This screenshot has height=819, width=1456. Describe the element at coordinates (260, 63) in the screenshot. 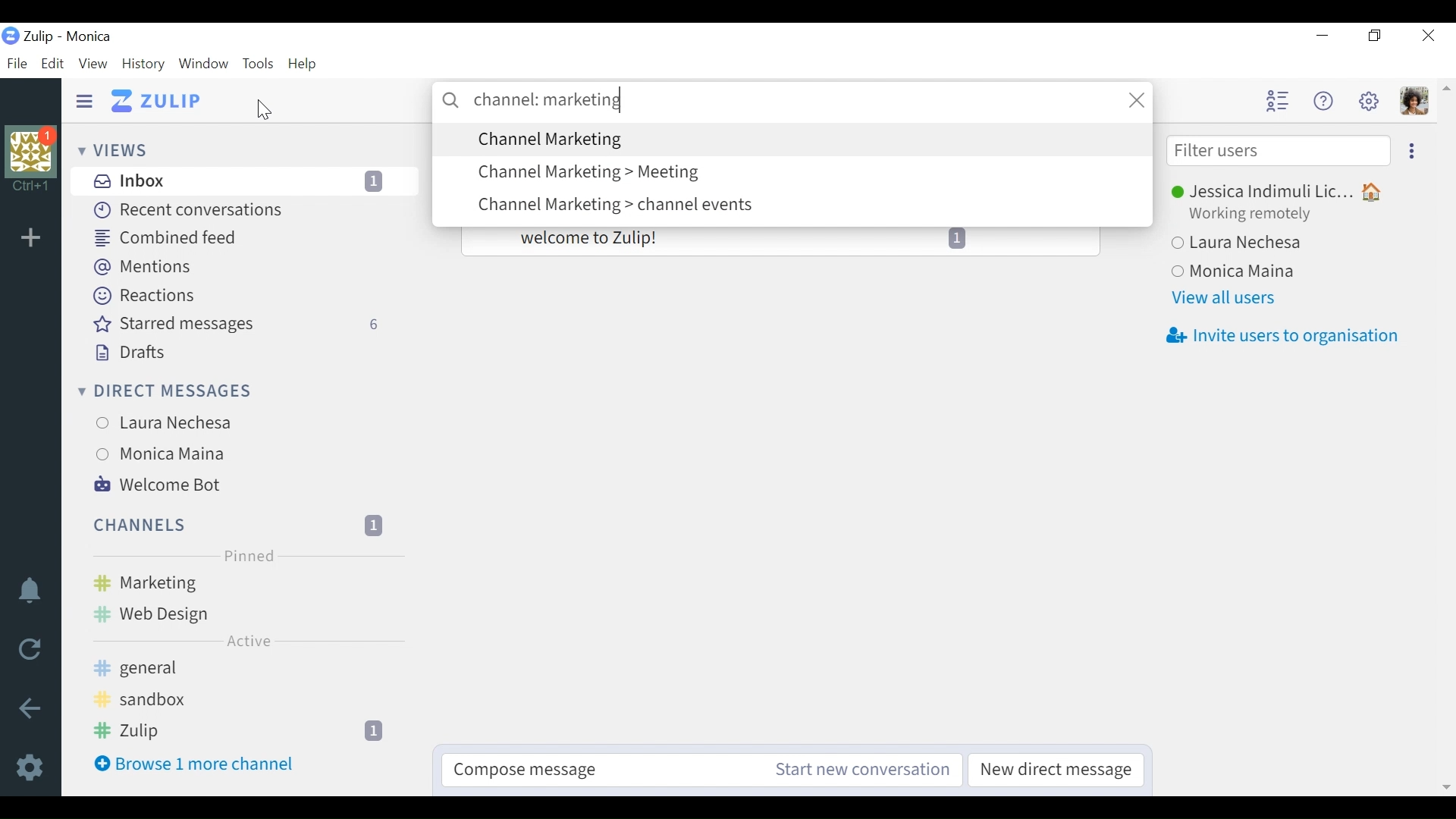

I see `Tools` at that location.